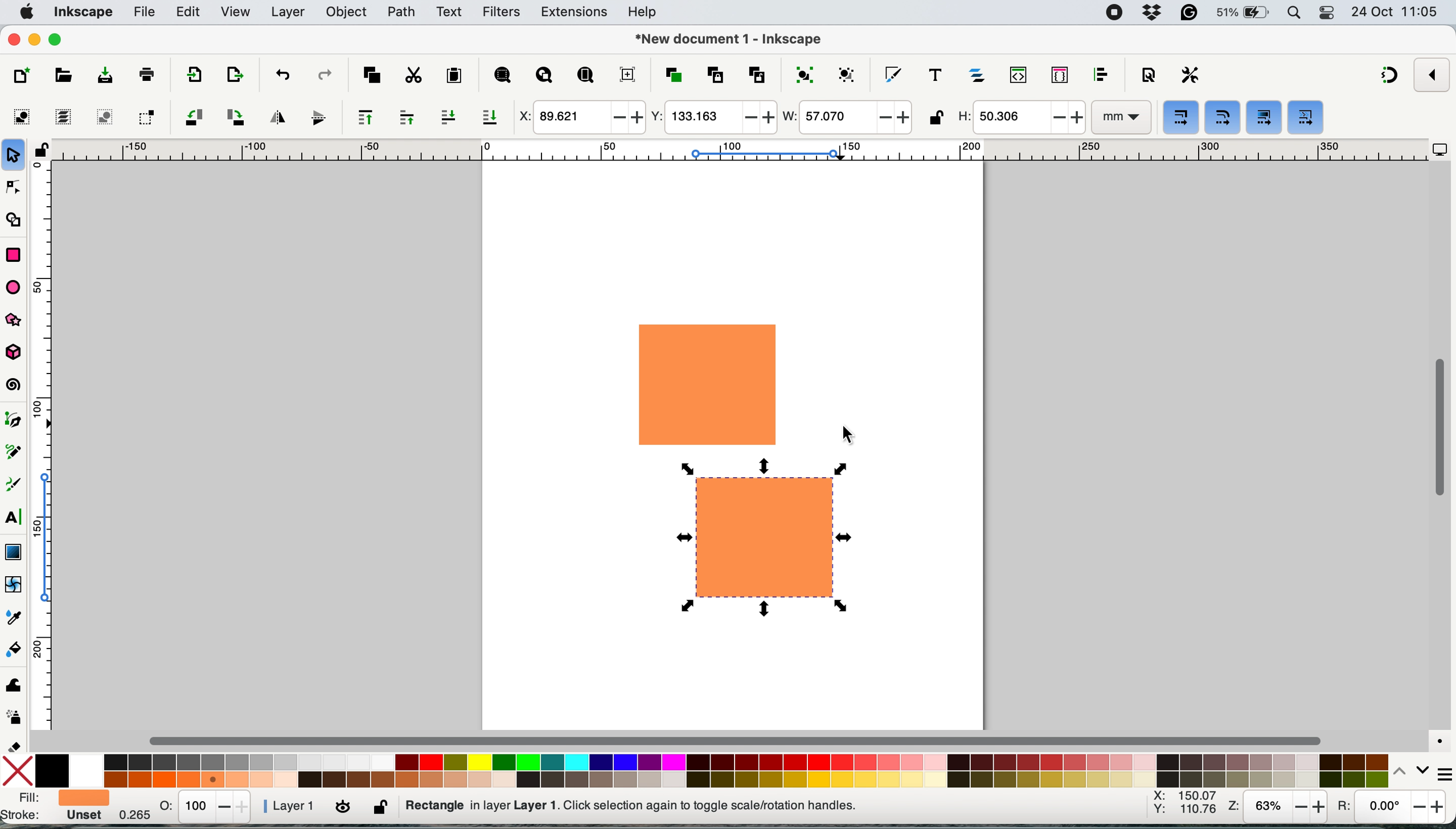 This screenshot has height=829, width=1456. What do you see at coordinates (1191, 14) in the screenshot?
I see `grammarly` at bounding box center [1191, 14].